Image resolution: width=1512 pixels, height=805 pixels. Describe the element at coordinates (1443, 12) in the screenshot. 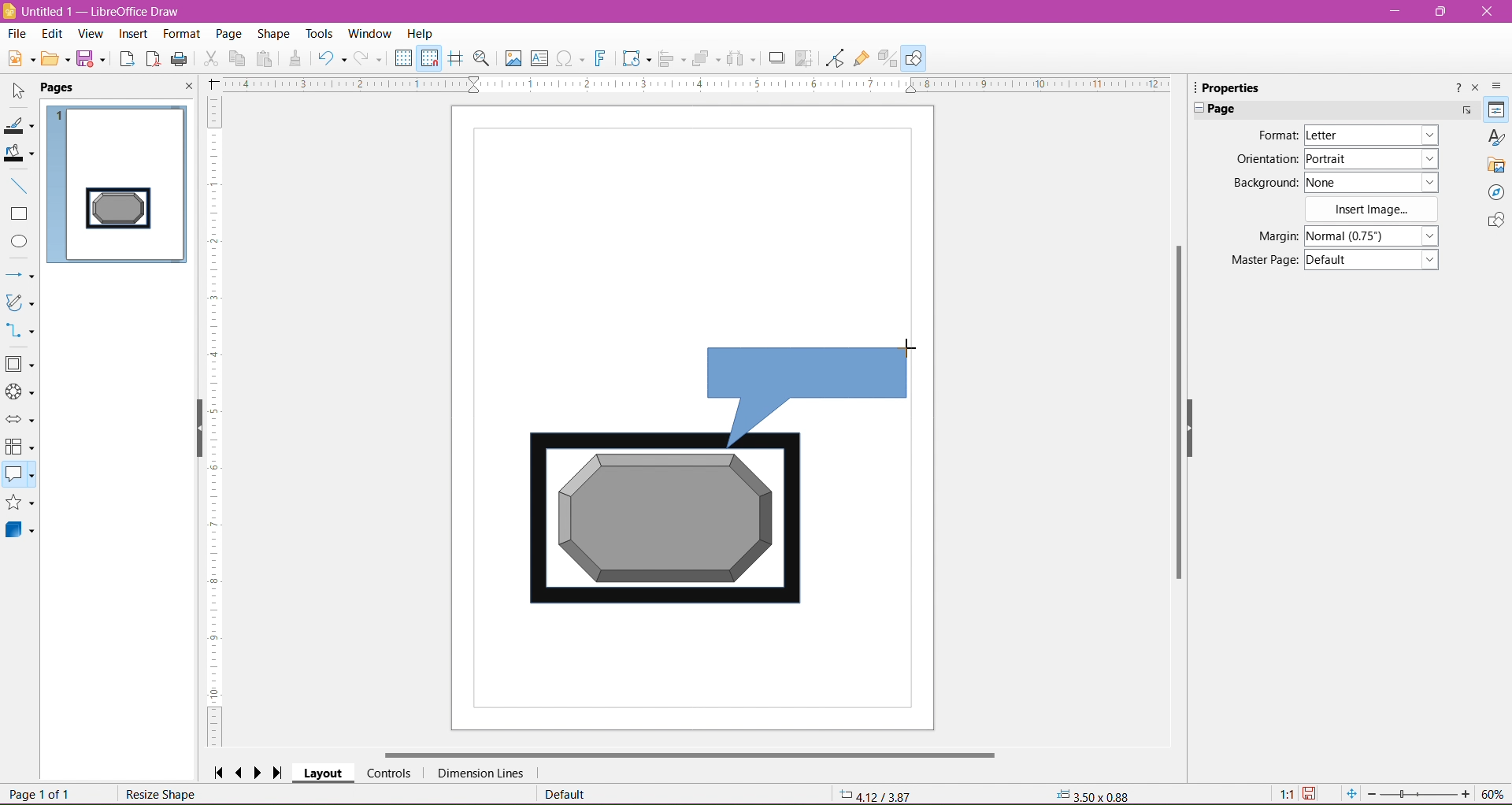

I see `Restore down` at that location.